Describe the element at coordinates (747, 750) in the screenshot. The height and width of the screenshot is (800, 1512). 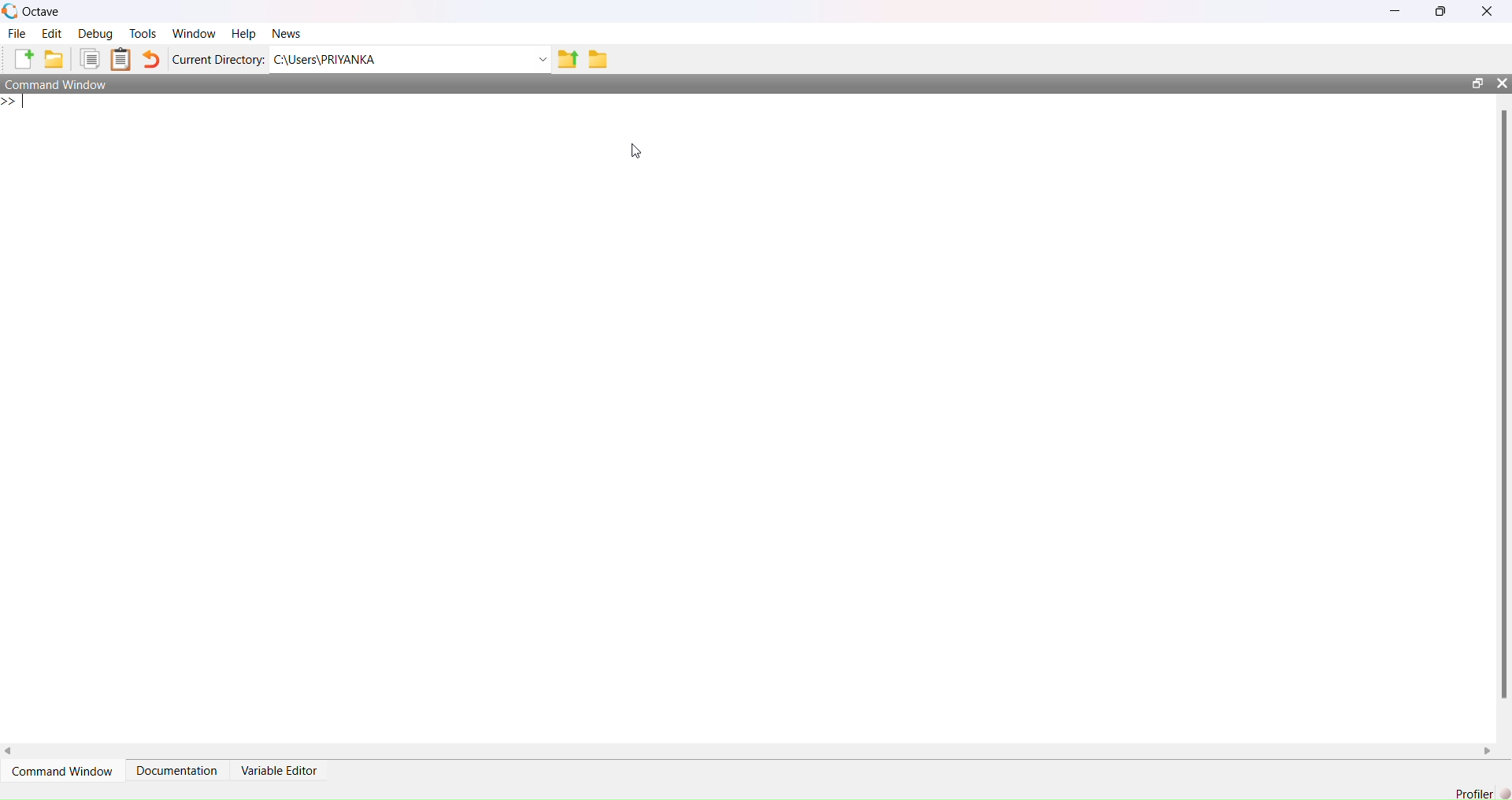
I see `horizontal scroll bar` at that location.